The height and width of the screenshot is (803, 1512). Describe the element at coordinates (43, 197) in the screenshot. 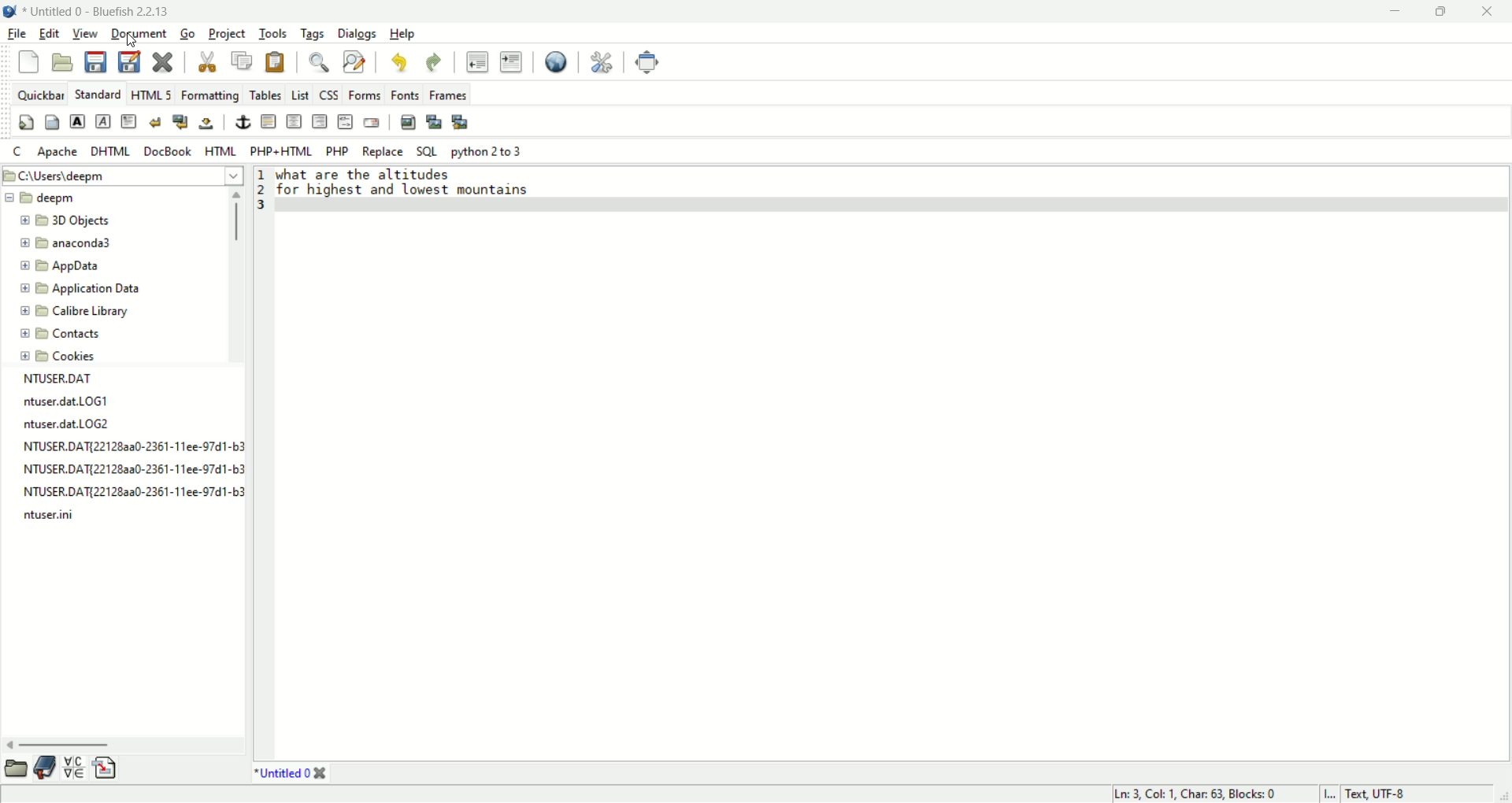

I see `deepm` at that location.